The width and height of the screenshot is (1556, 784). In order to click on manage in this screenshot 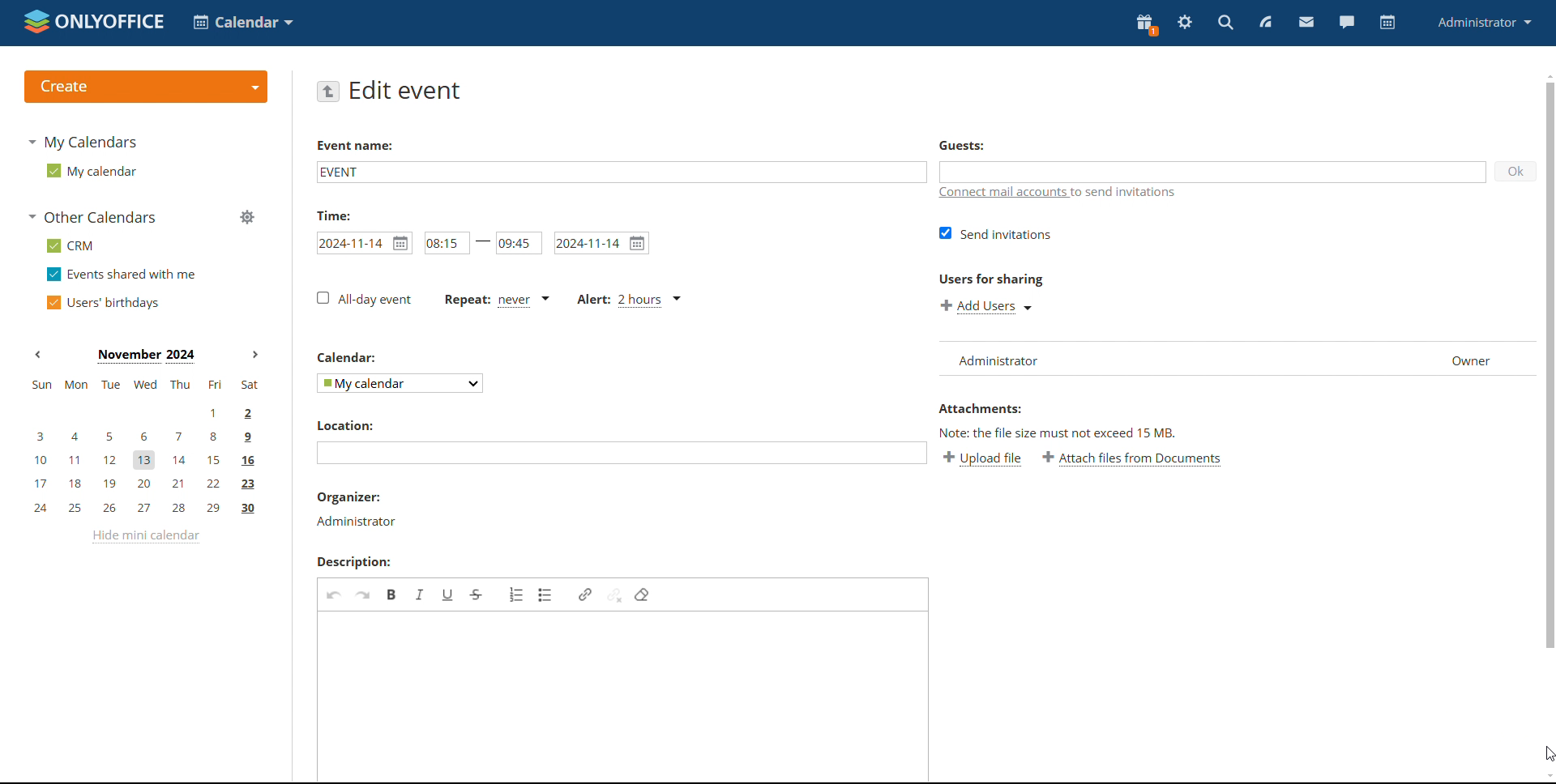, I will do `click(246, 217)`.